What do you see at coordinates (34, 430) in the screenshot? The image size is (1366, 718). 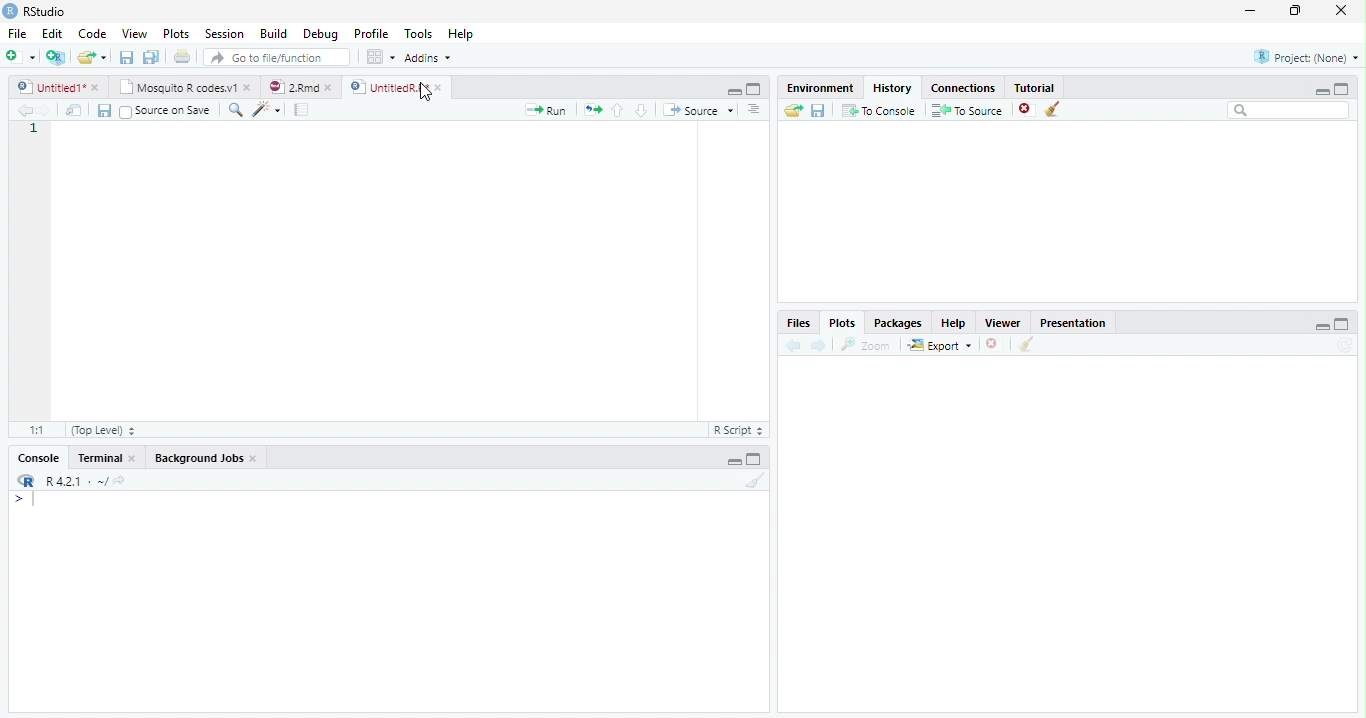 I see `1:1` at bounding box center [34, 430].